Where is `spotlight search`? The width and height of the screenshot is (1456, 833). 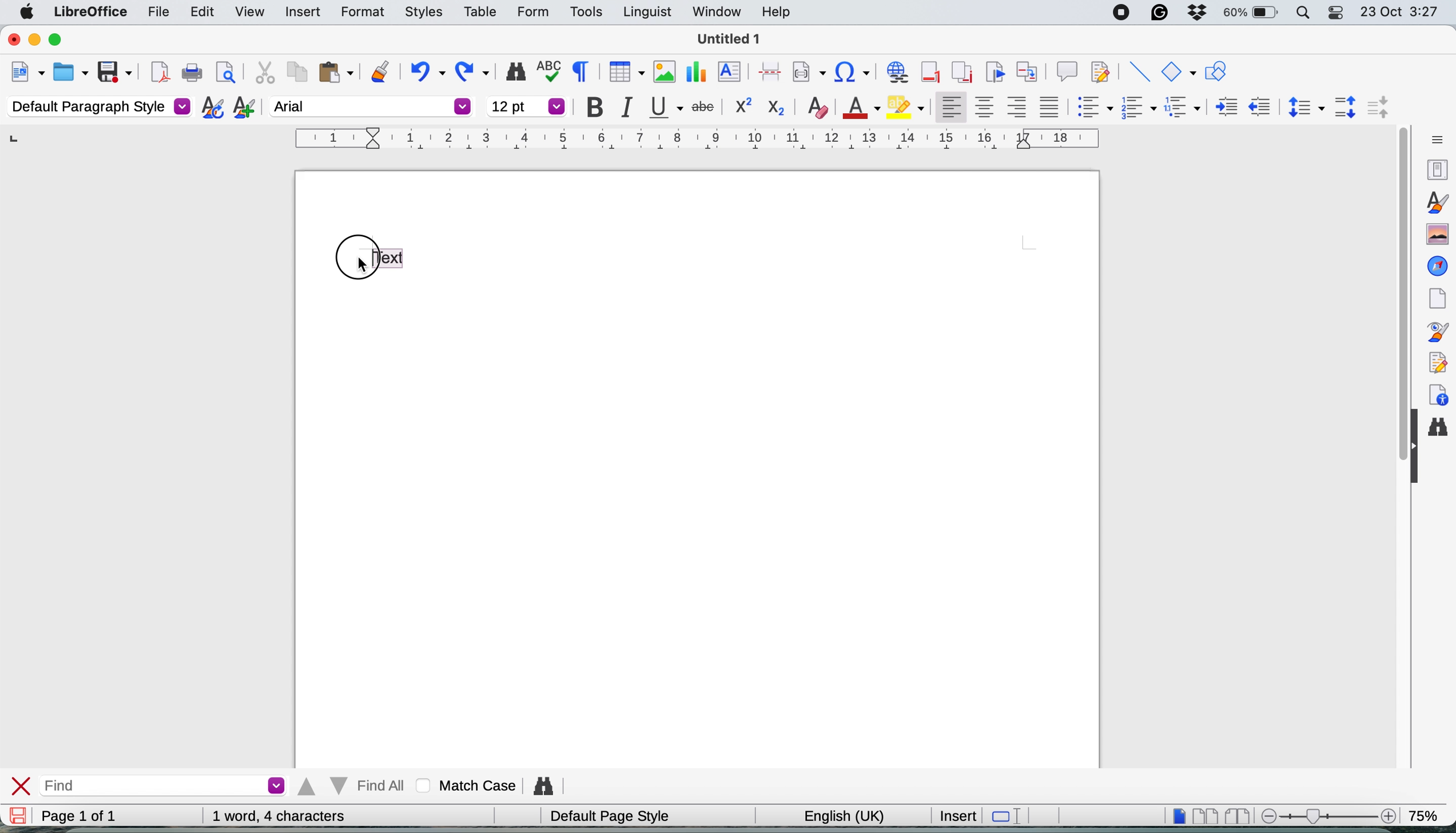
spotlight search is located at coordinates (1302, 14).